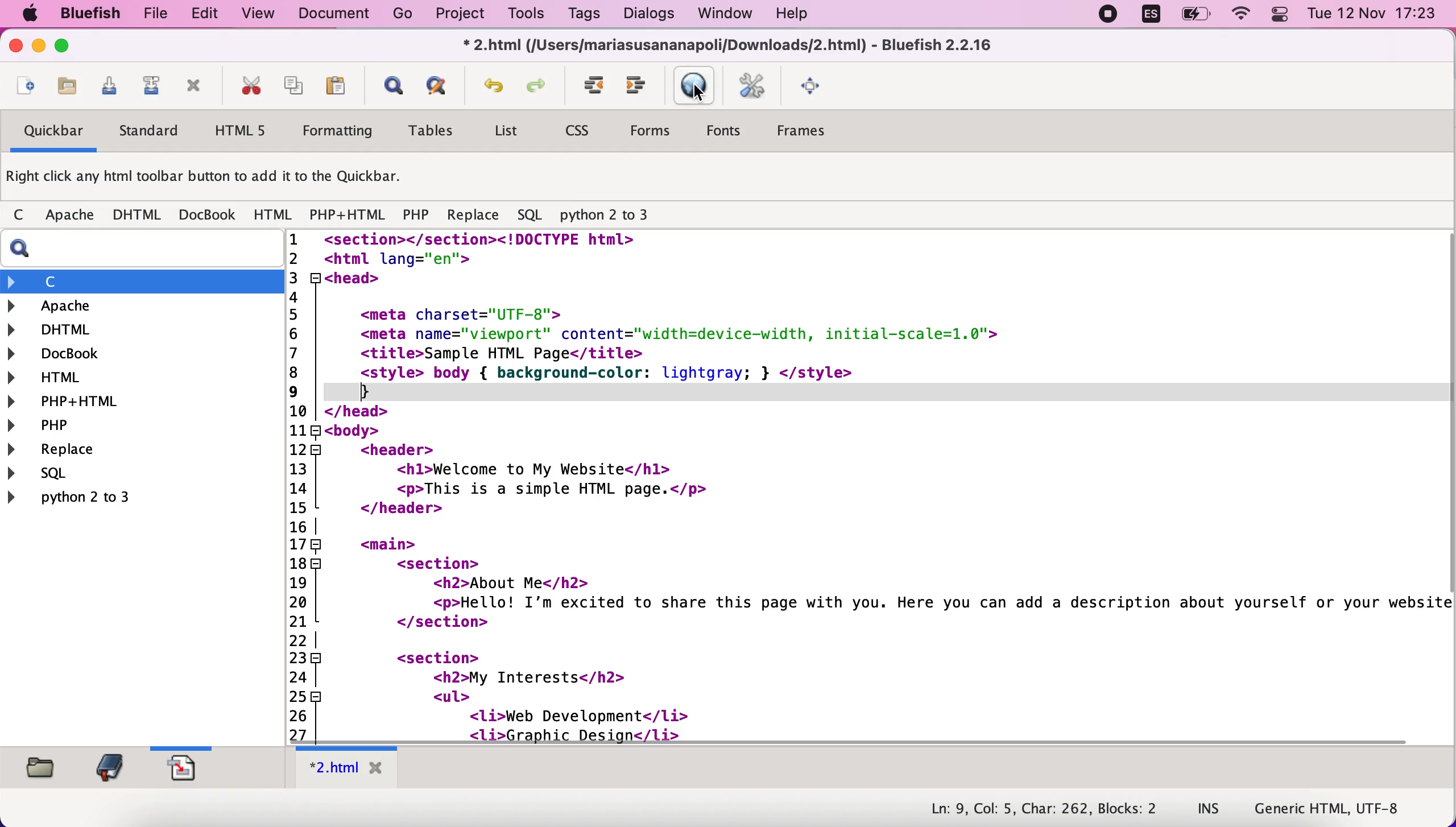 The image size is (1456, 827). I want to click on battery, so click(1192, 18).